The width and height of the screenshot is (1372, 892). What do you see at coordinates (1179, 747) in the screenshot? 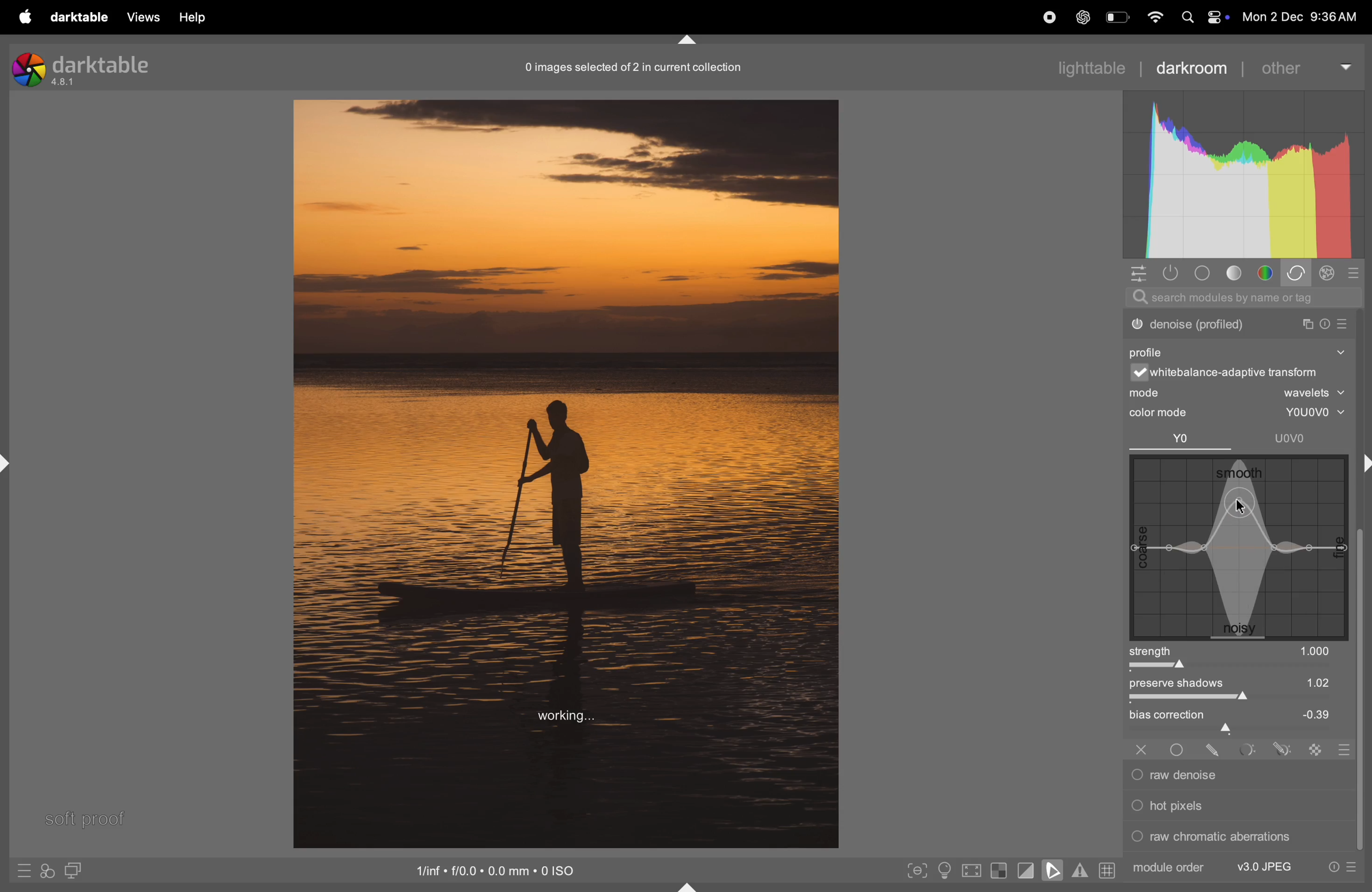
I see `` at bounding box center [1179, 747].